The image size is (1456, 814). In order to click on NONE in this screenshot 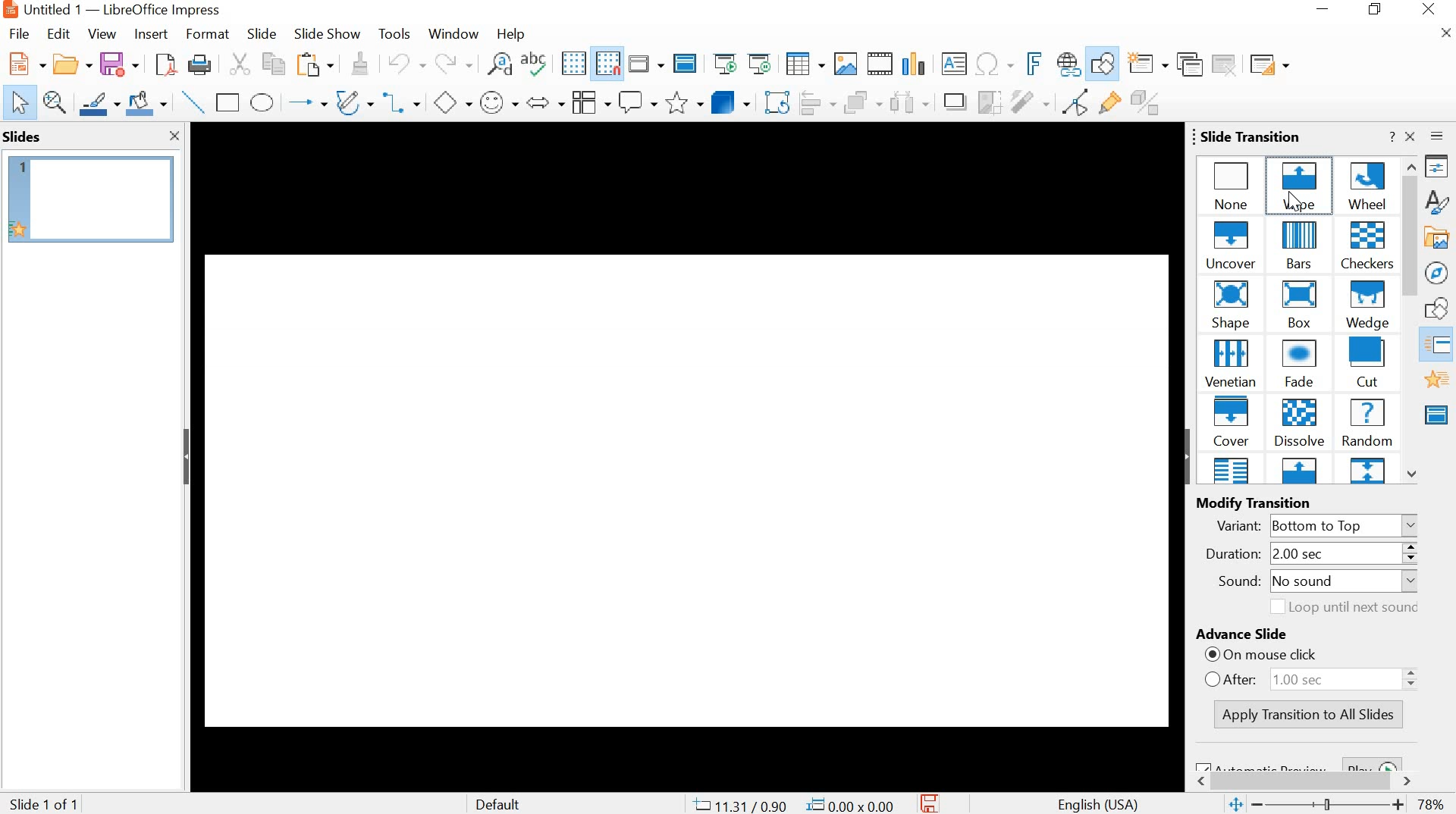, I will do `click(1232, 183)`.